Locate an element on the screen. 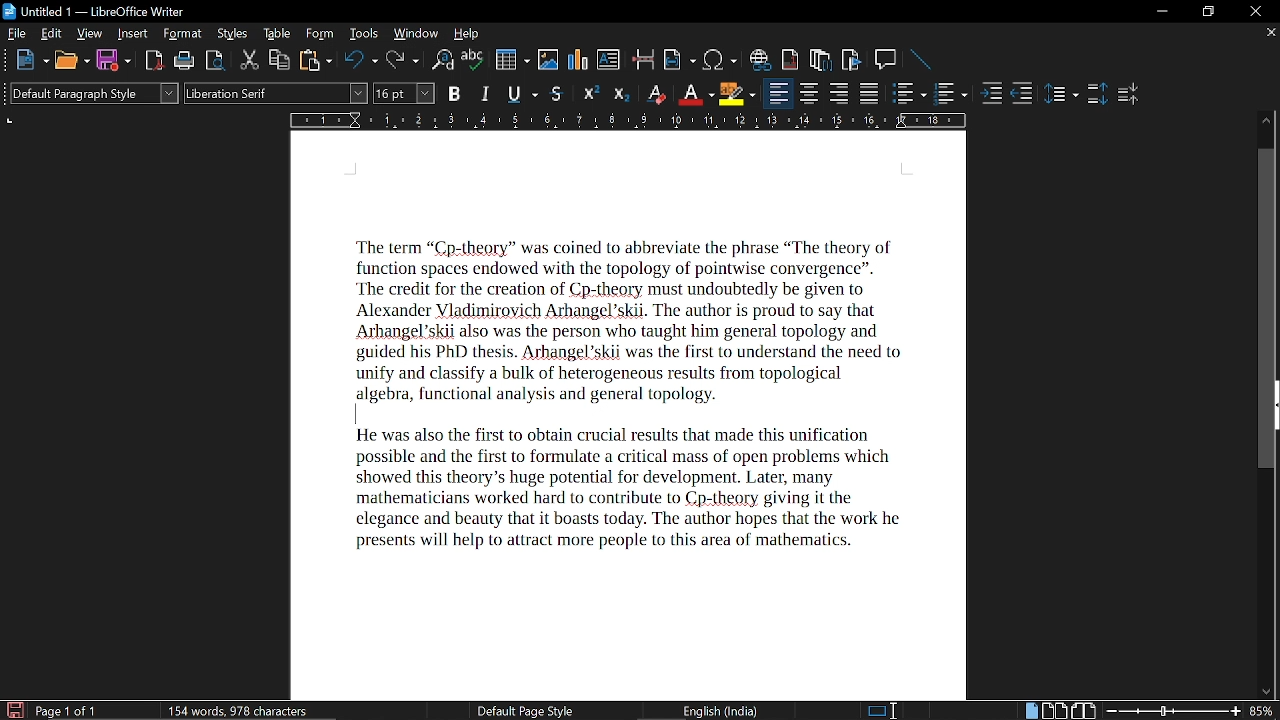  ruler is located at coordinates (630, 121).